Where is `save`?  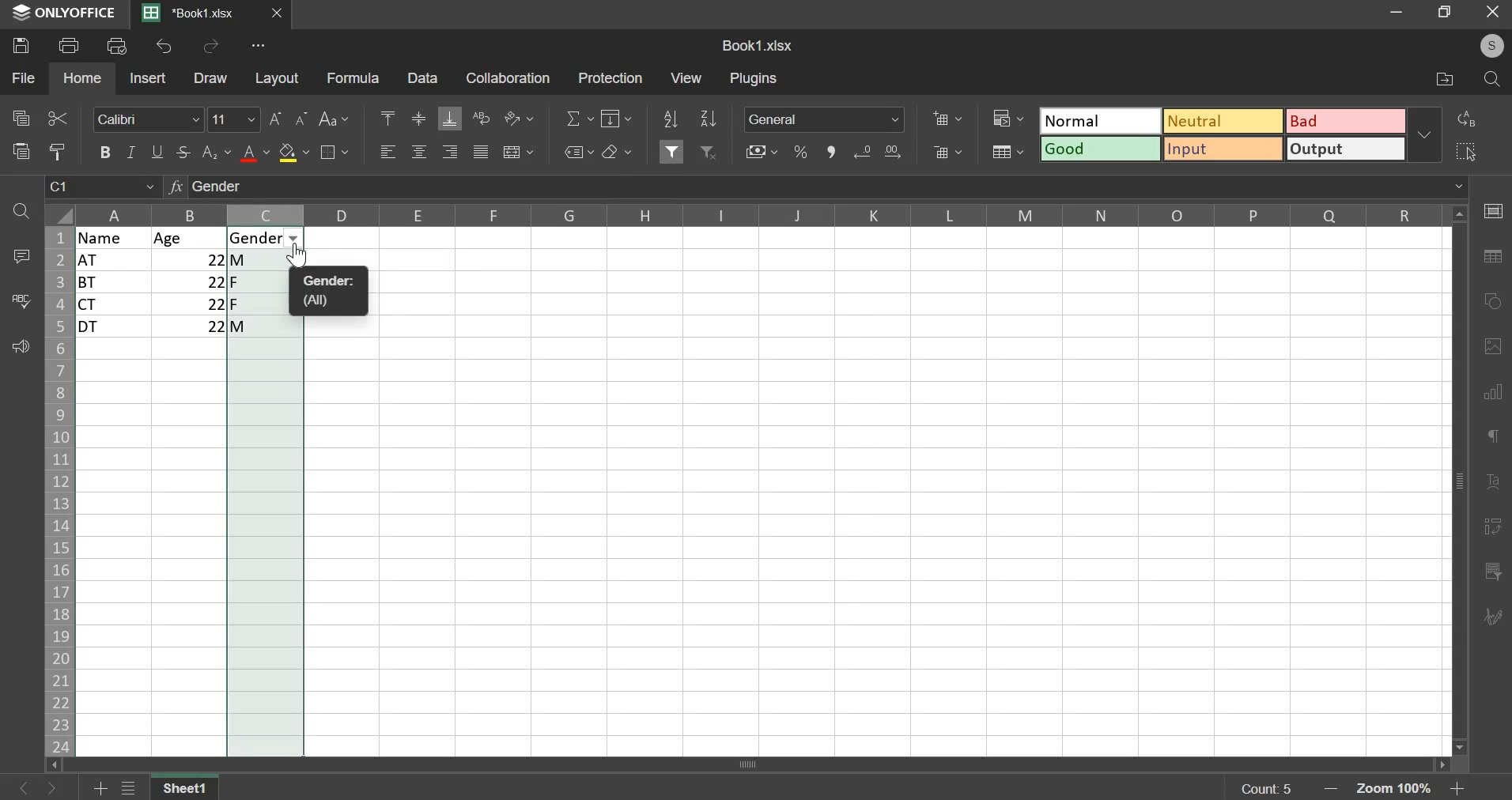 save is located at coordinates (20, 46).